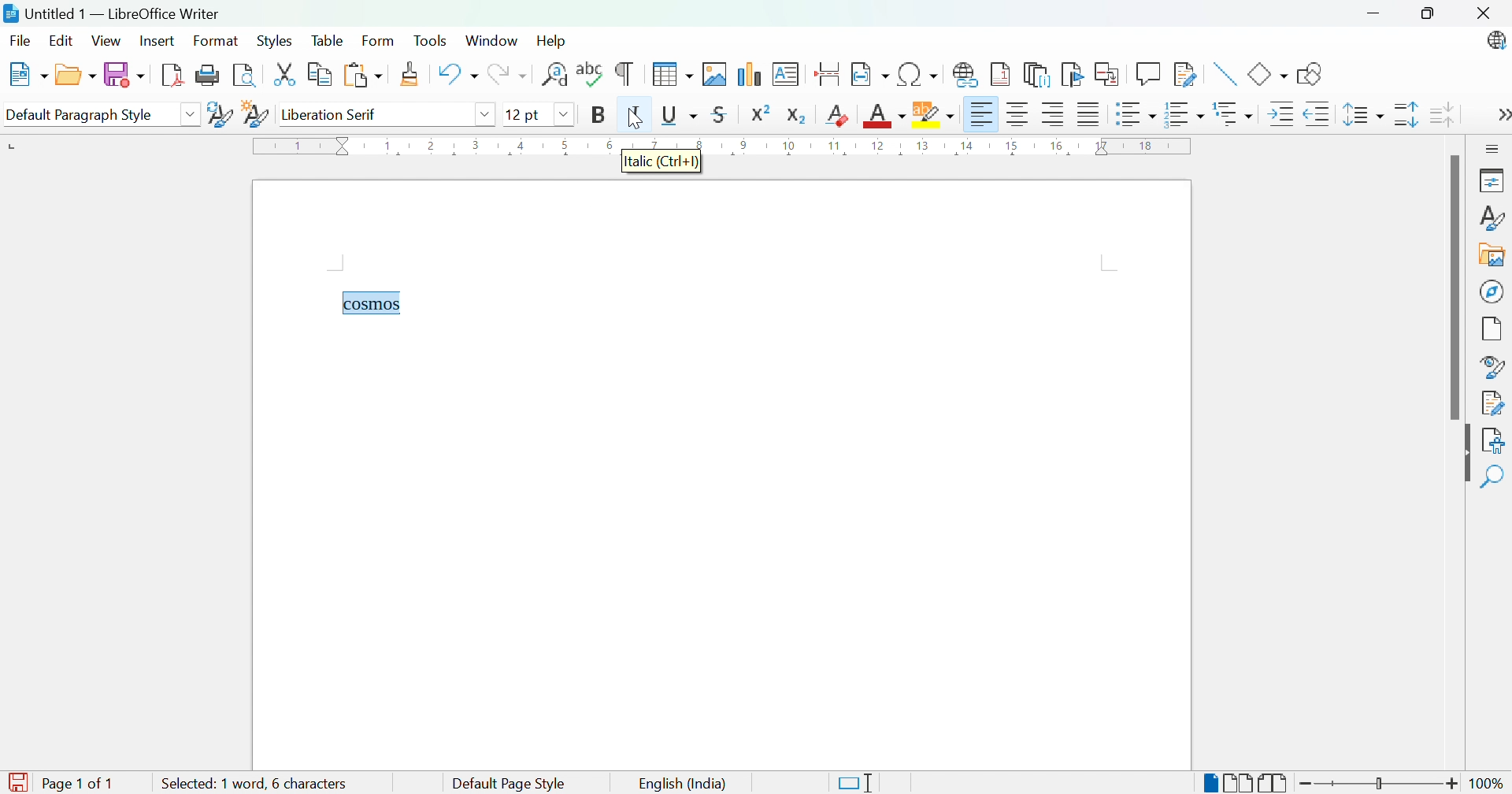  I want to click on Close, so click(1488, 17).